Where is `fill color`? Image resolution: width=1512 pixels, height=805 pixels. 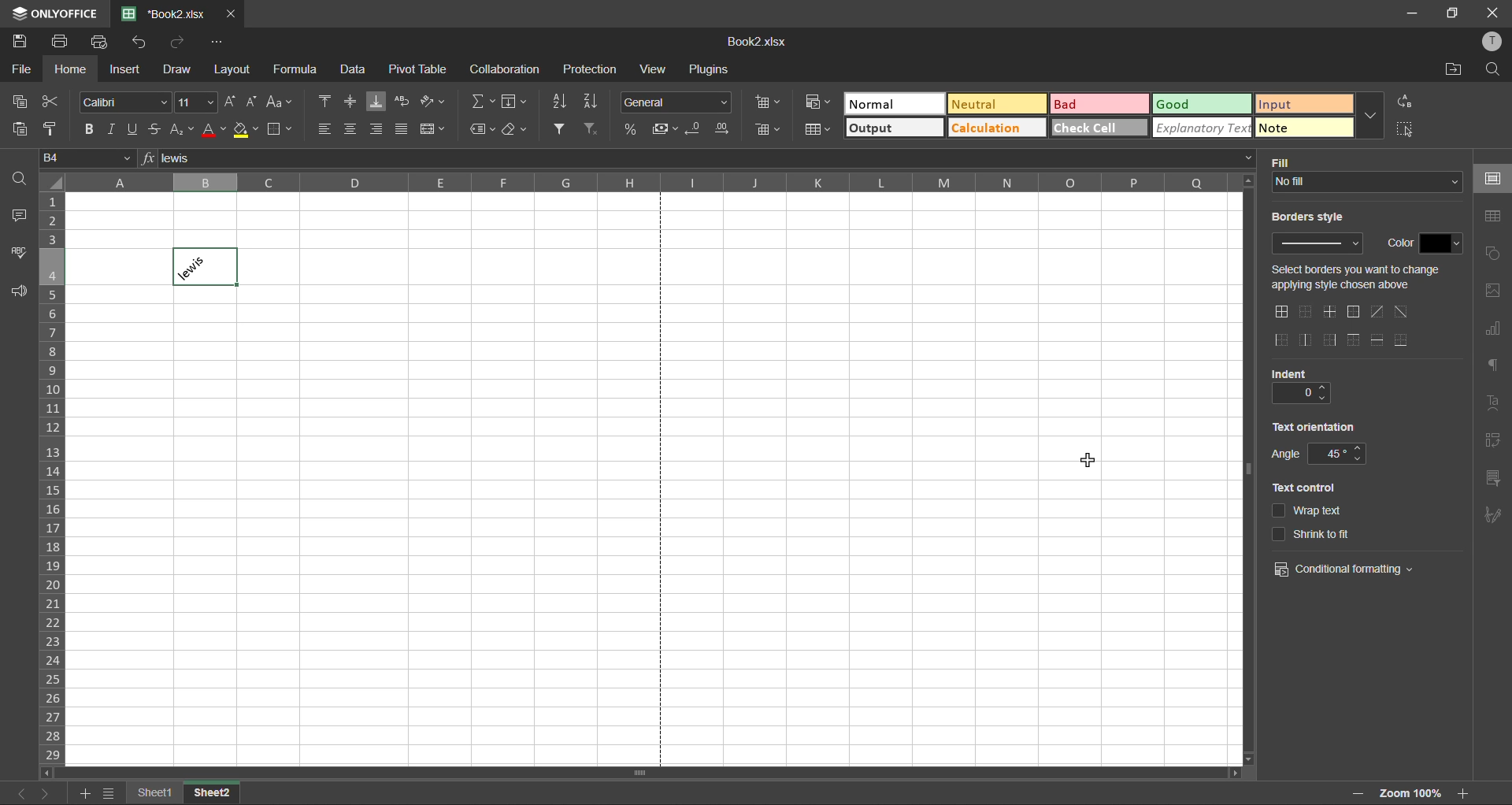 fill color is located at coordinates (246, 131).